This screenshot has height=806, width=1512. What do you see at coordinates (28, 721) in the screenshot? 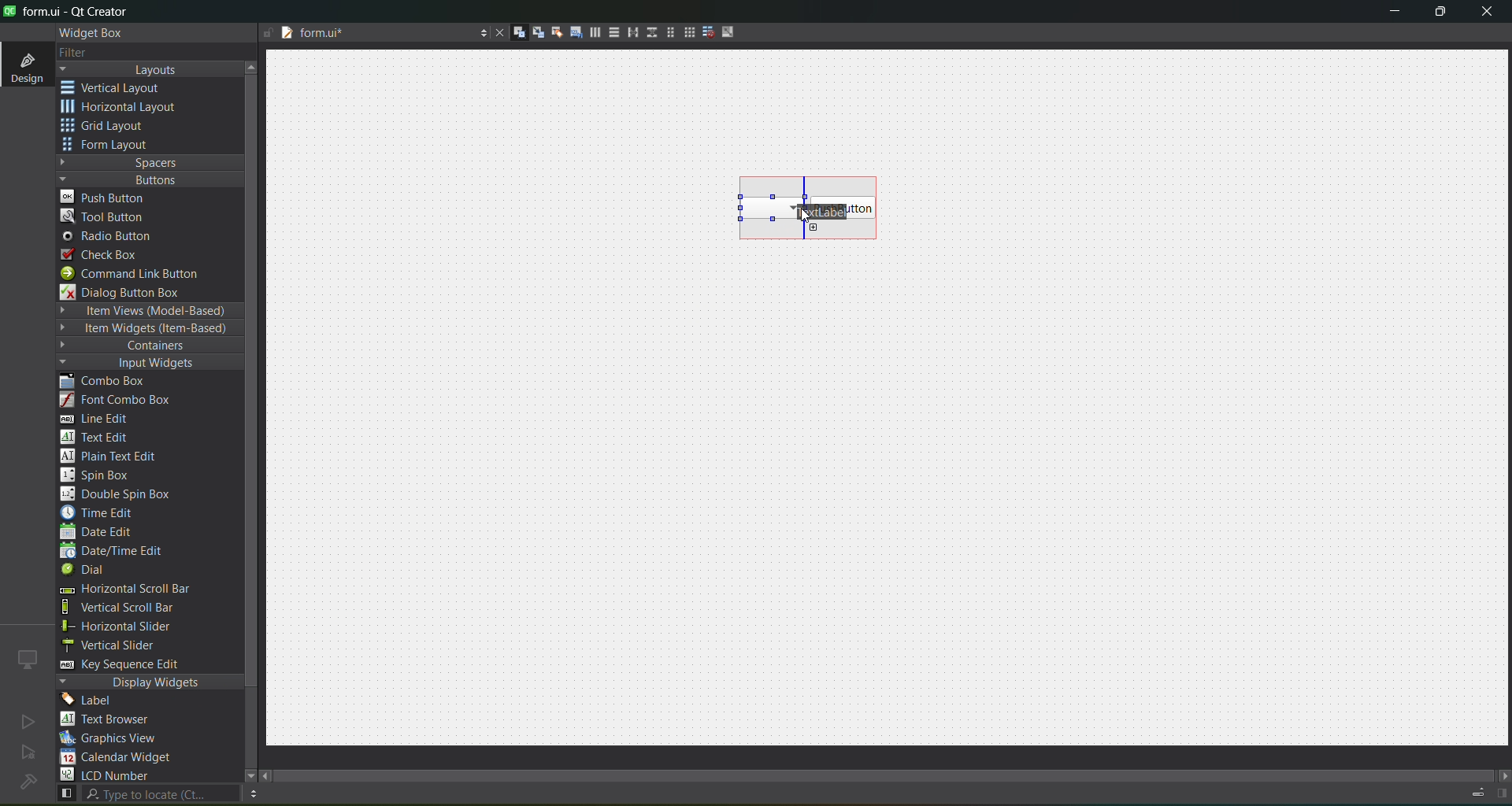
I see `no active project` at bounding box center [28, 721].